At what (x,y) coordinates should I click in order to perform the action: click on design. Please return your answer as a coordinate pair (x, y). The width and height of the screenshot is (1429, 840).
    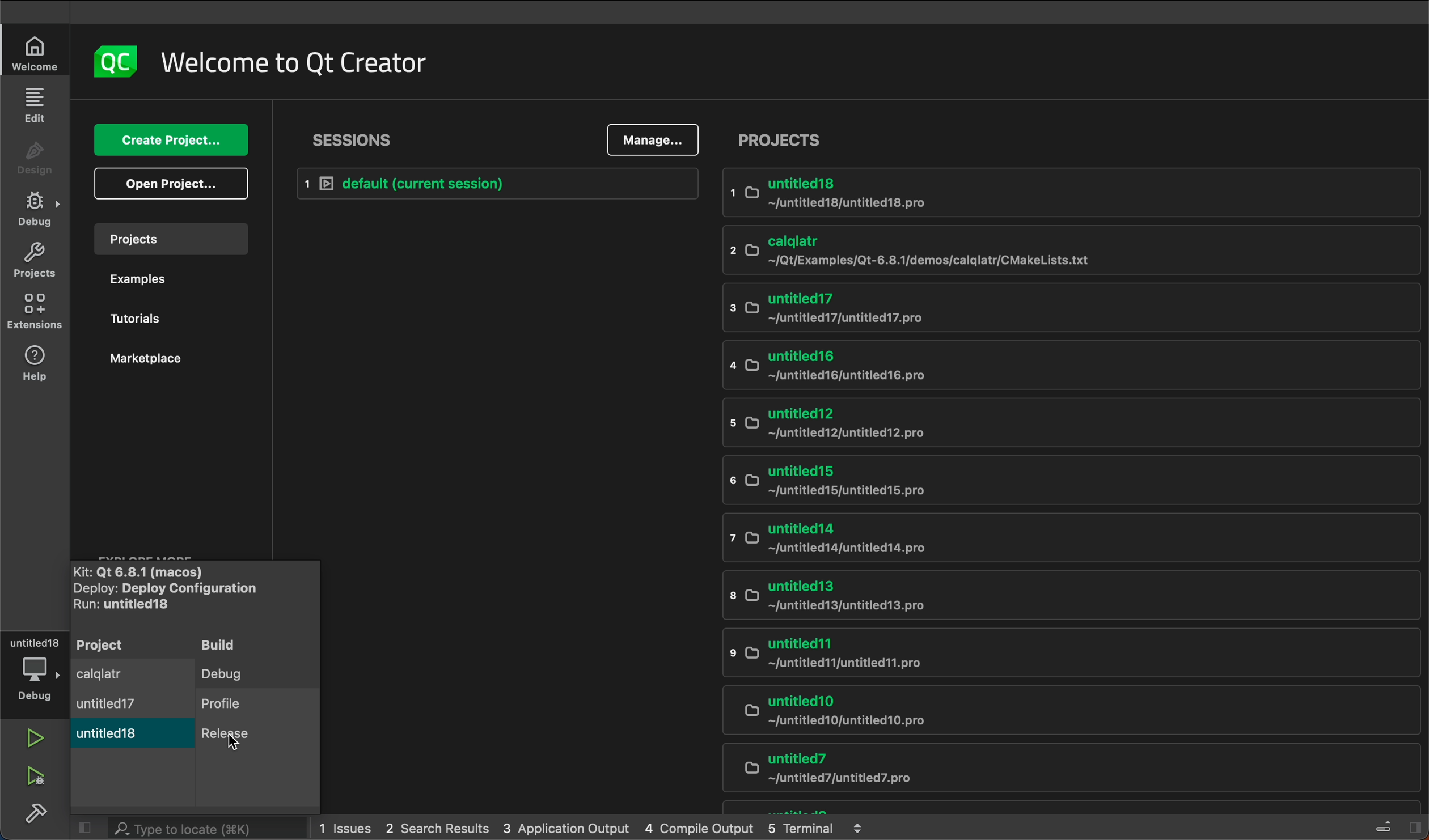
    Looking at the image, I should click on (35, 162).